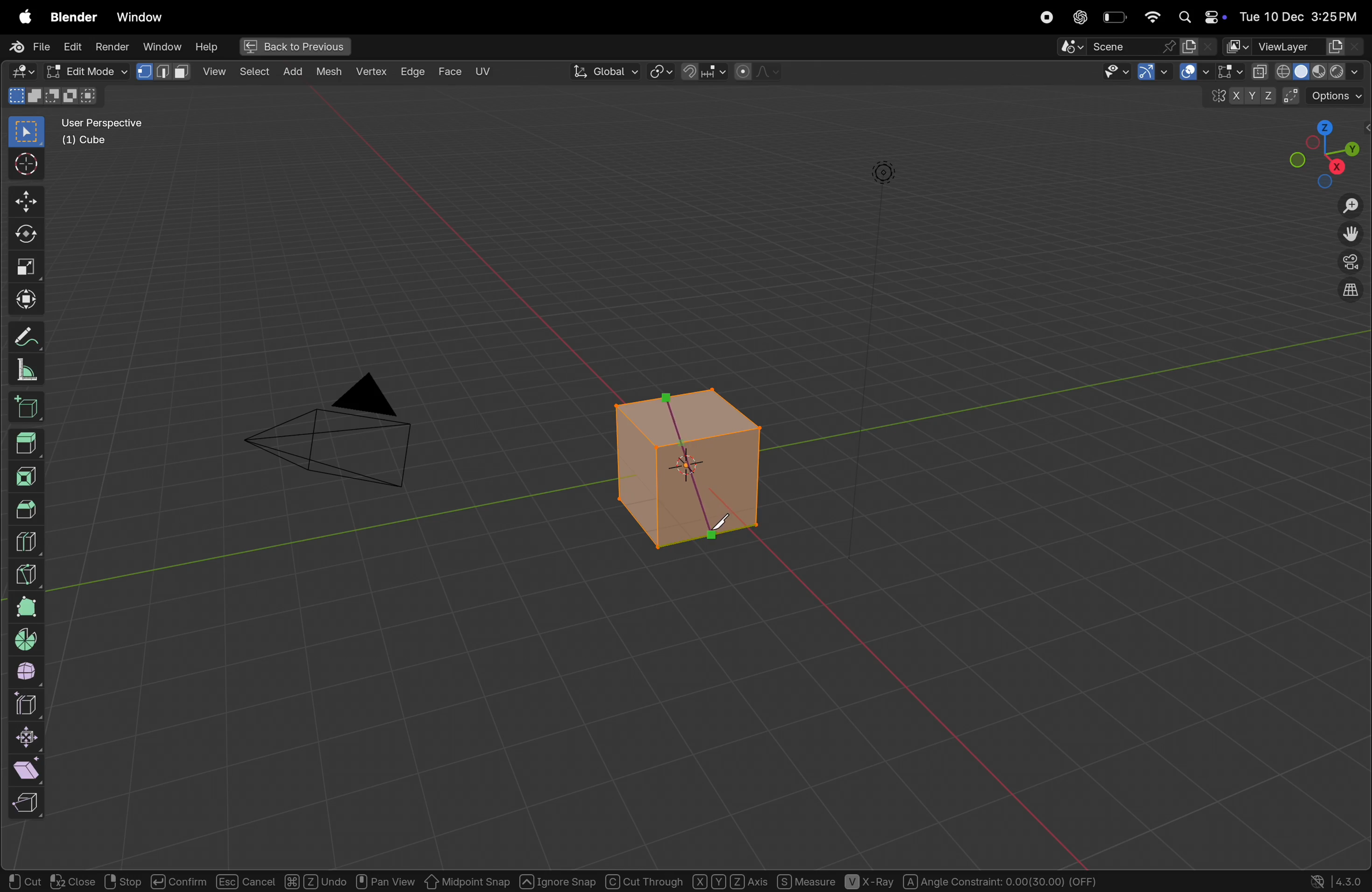 The image size is (1372, 892). Describe the element at coordinates (26, 607) in the screenshot. I see `poly bulid spin` at that location.